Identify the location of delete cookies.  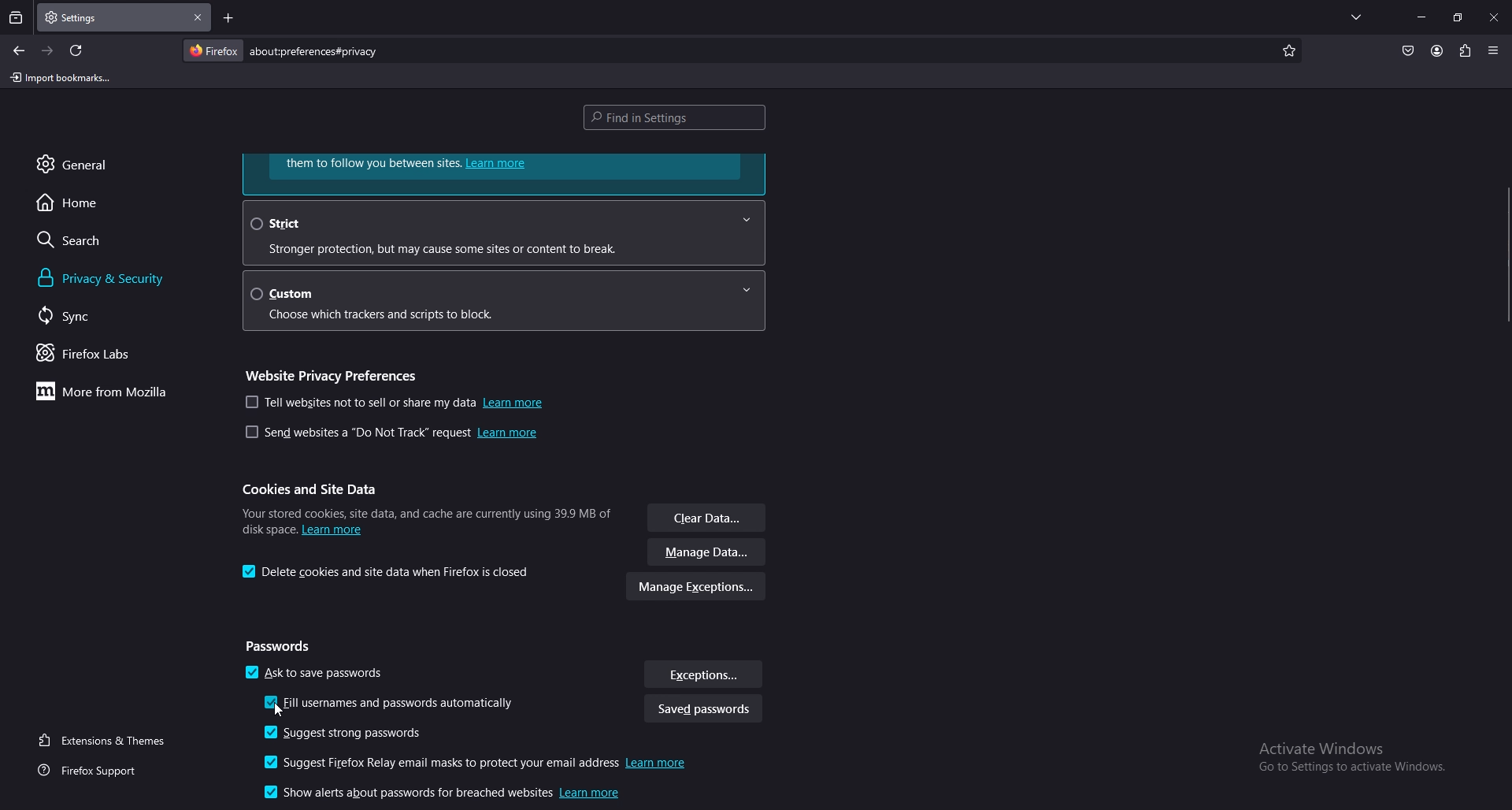
(390, 572).